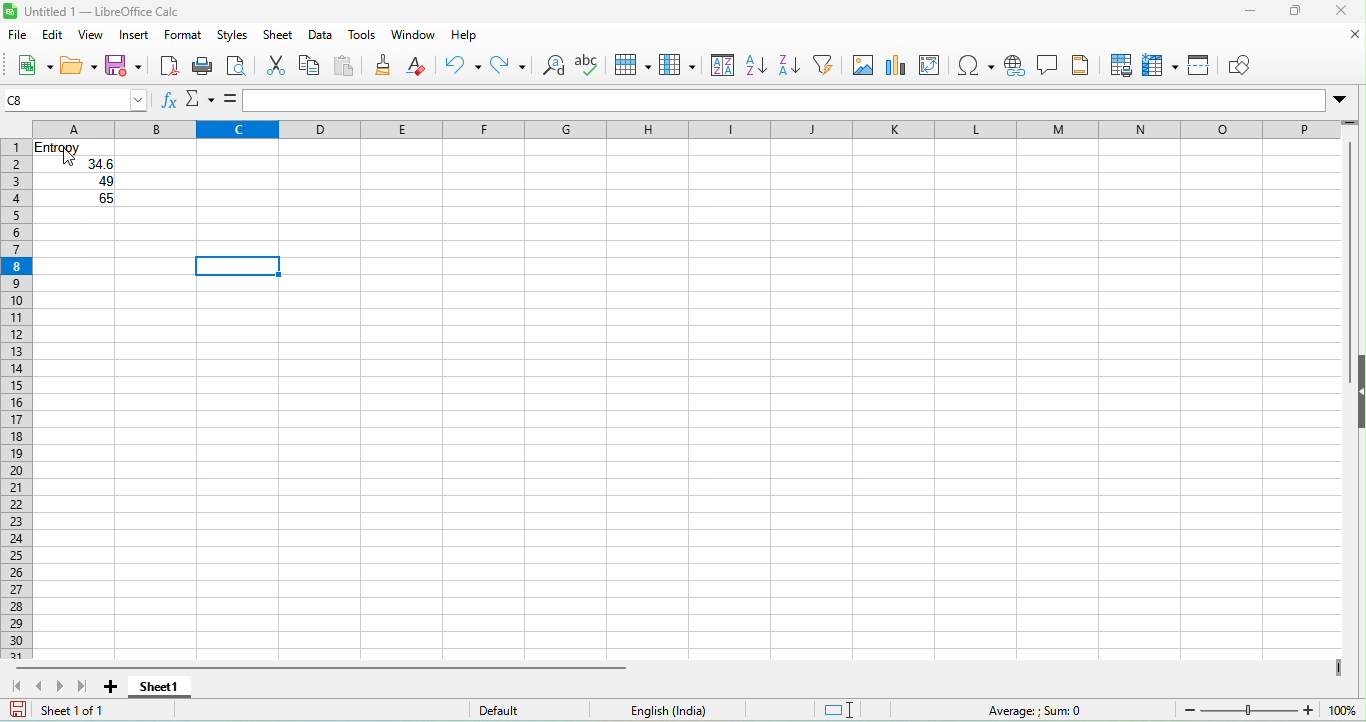  What do you see at coordinates (829, 68) in the screenshot?
I see `auto filter` at bounding box center [829, 68].